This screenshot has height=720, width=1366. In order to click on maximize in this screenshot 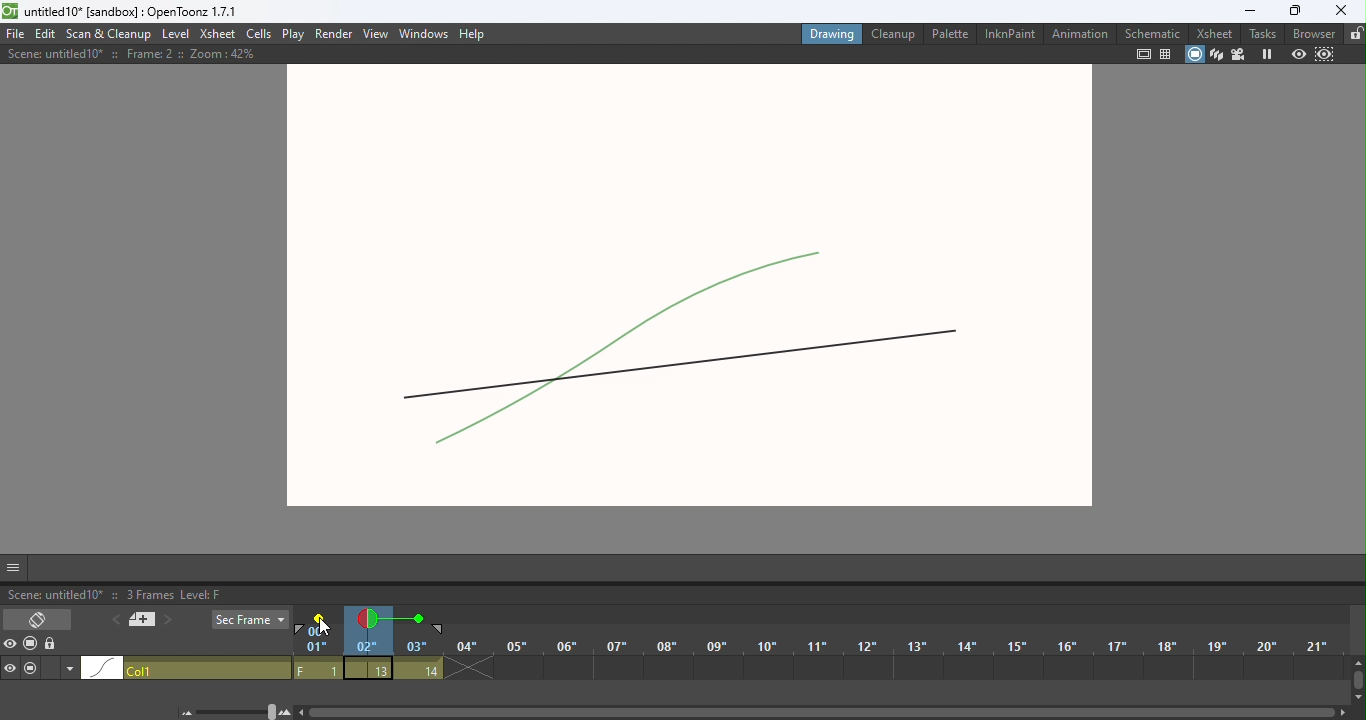, I will do `click(1296, 11)`.